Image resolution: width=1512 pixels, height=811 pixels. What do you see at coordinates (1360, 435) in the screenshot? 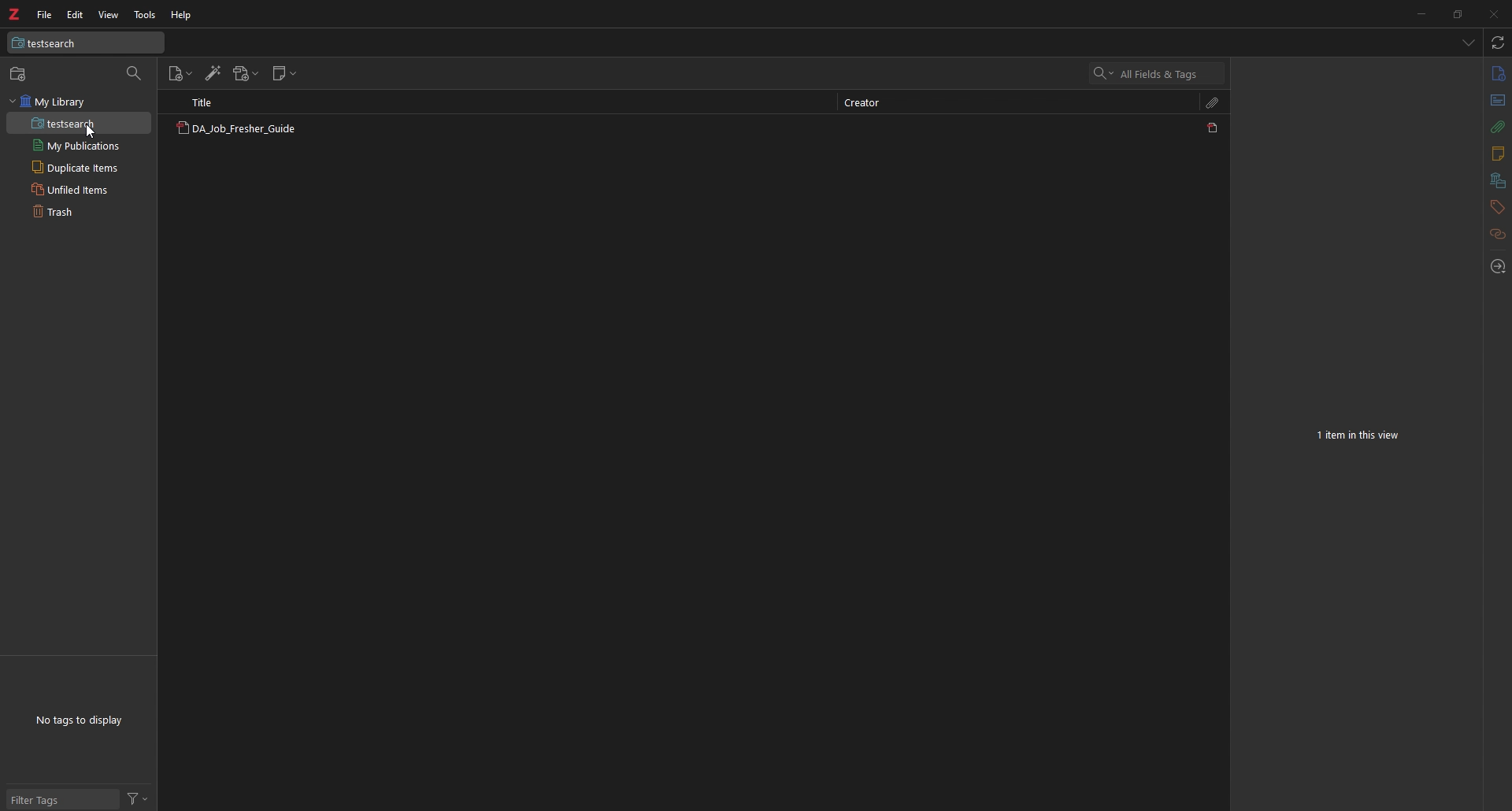
I see `1 item in this view` at bounding box center [1360, 435].